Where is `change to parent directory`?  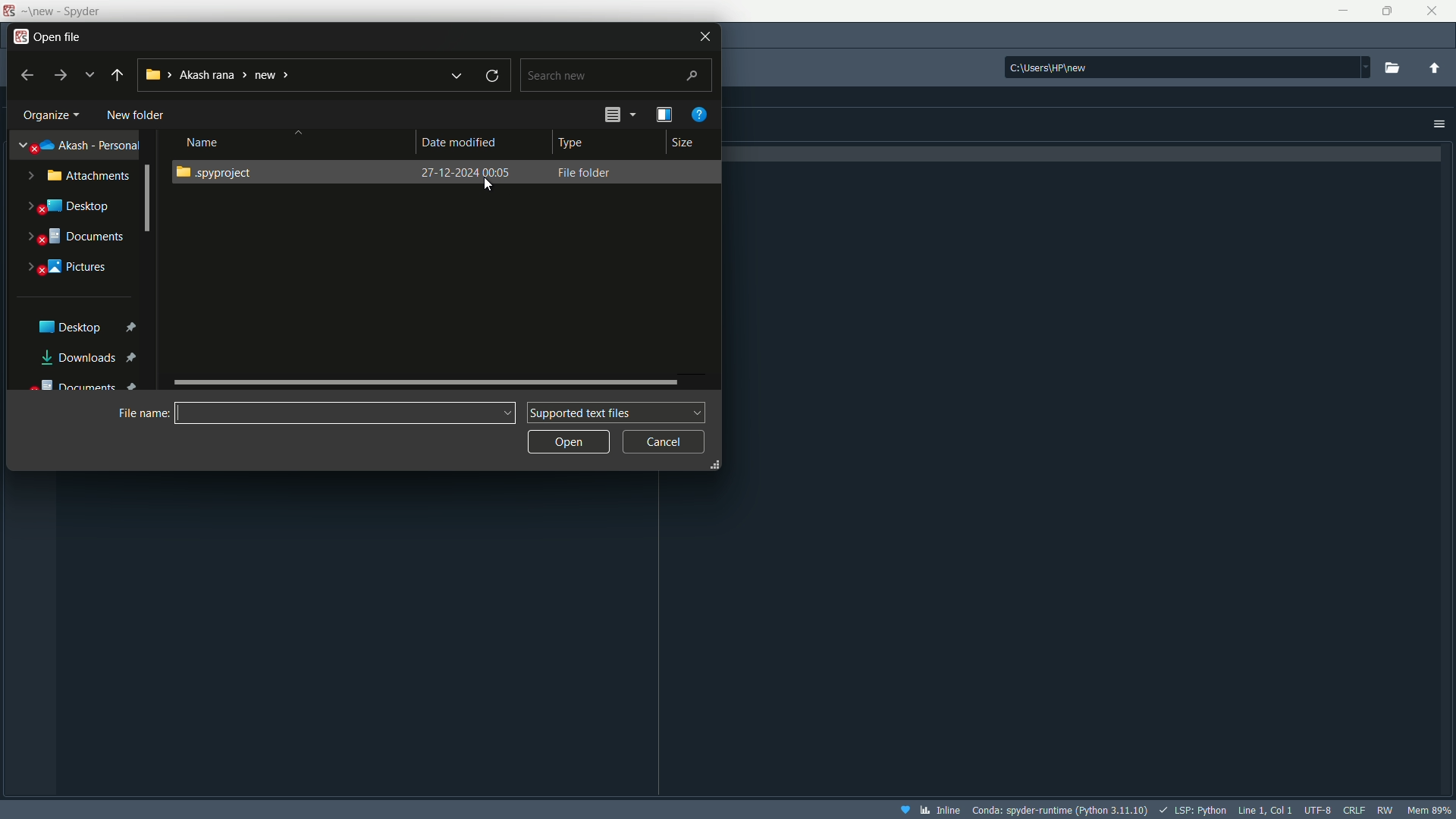 change to parent directory is located at coordinates (1435, 68).